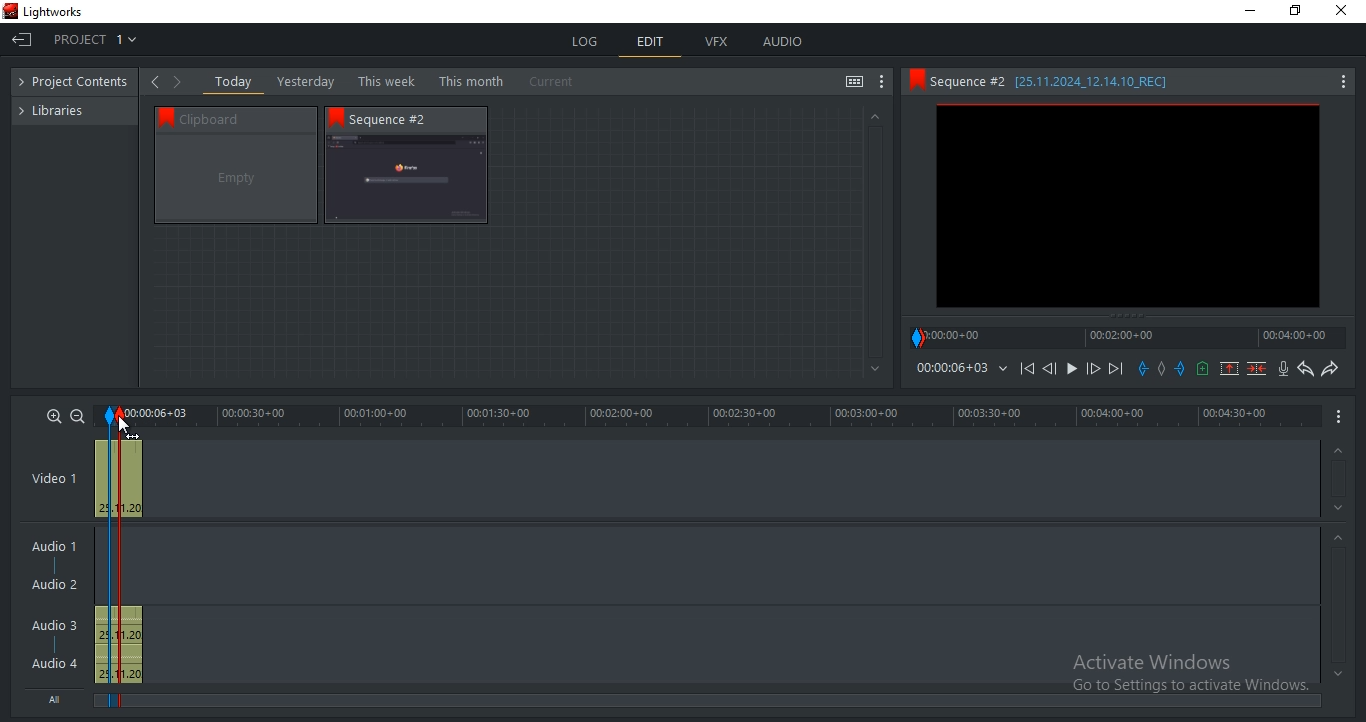  Describe the element at coordinates (1338, 673) in the screenshot. I see `Greyed out down arrow` at that location.